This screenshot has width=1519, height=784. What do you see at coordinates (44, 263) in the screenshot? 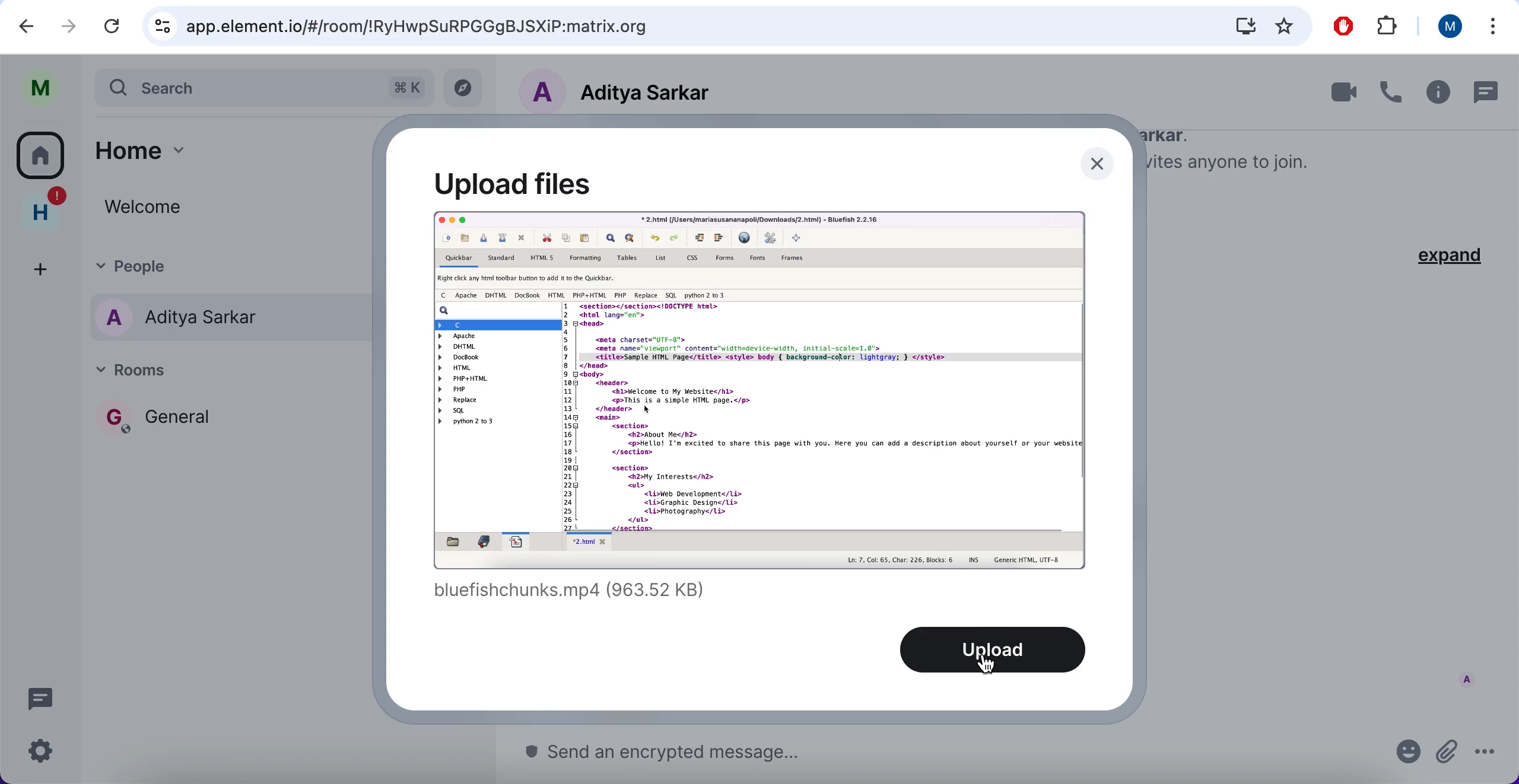
I see `add` at bounding box center [44, 263].